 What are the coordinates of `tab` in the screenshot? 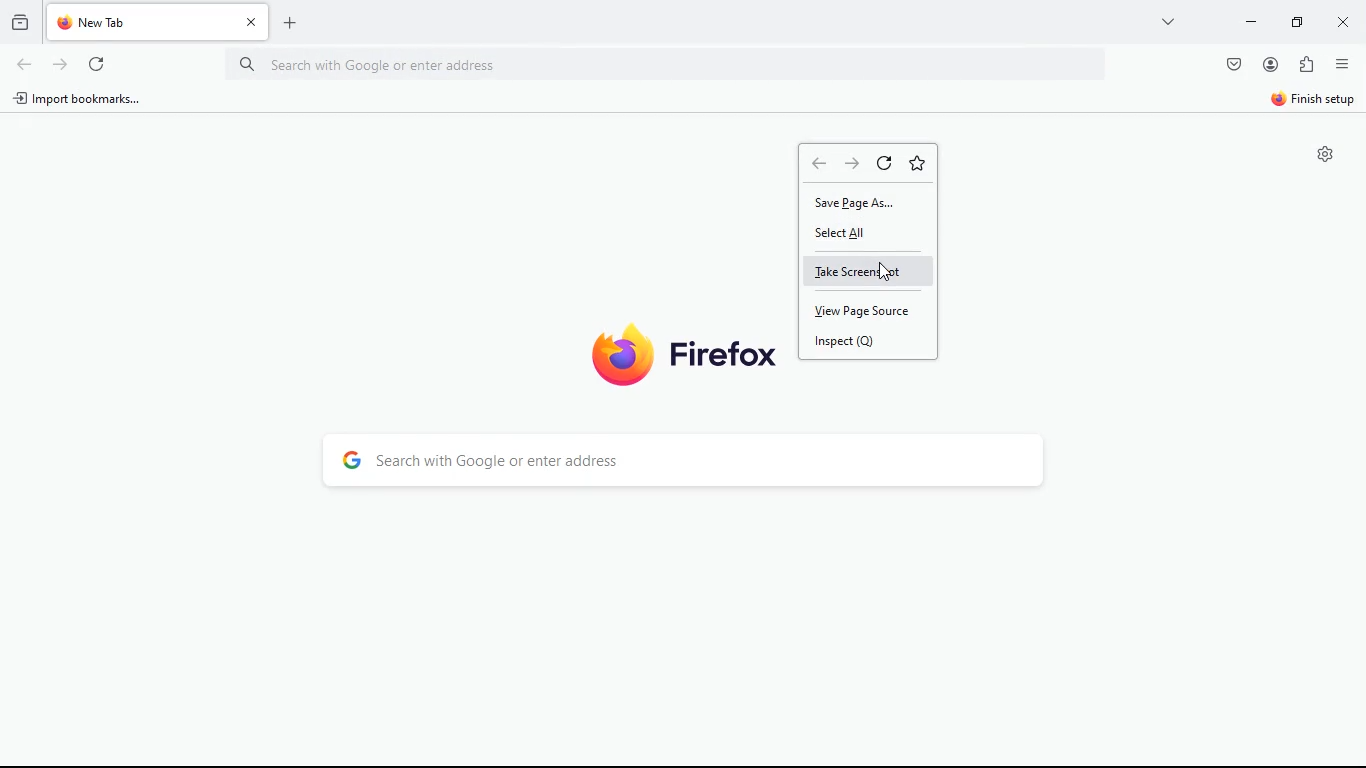 It's located at (161, 22).